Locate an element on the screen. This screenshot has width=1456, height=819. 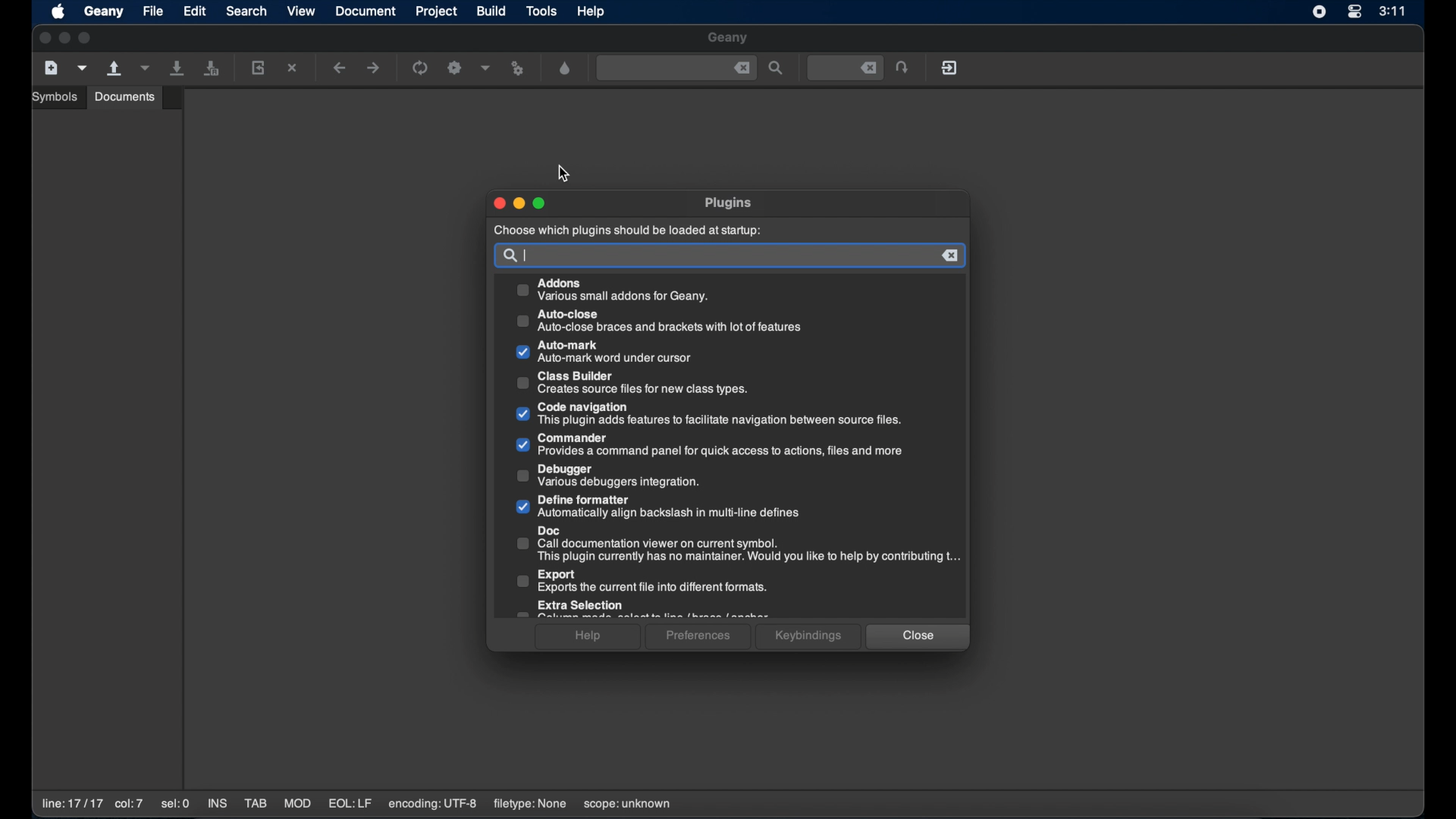
save all current file is located at coordinates (178, 68).